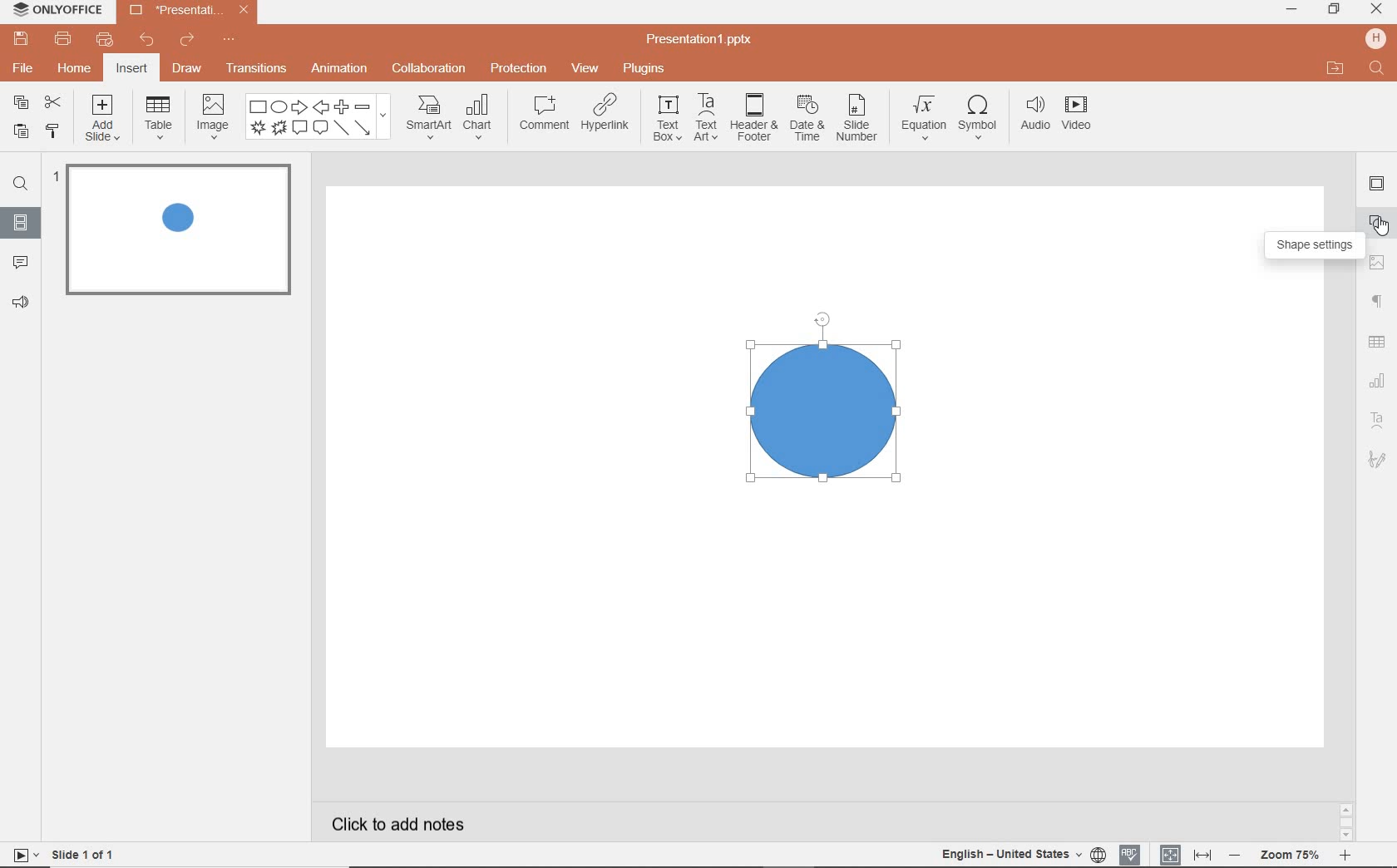 This screenshot has height=868, width=1397. Describe the element at coordinates (1079, 115) in the screenshot. I see `videos` at that location.